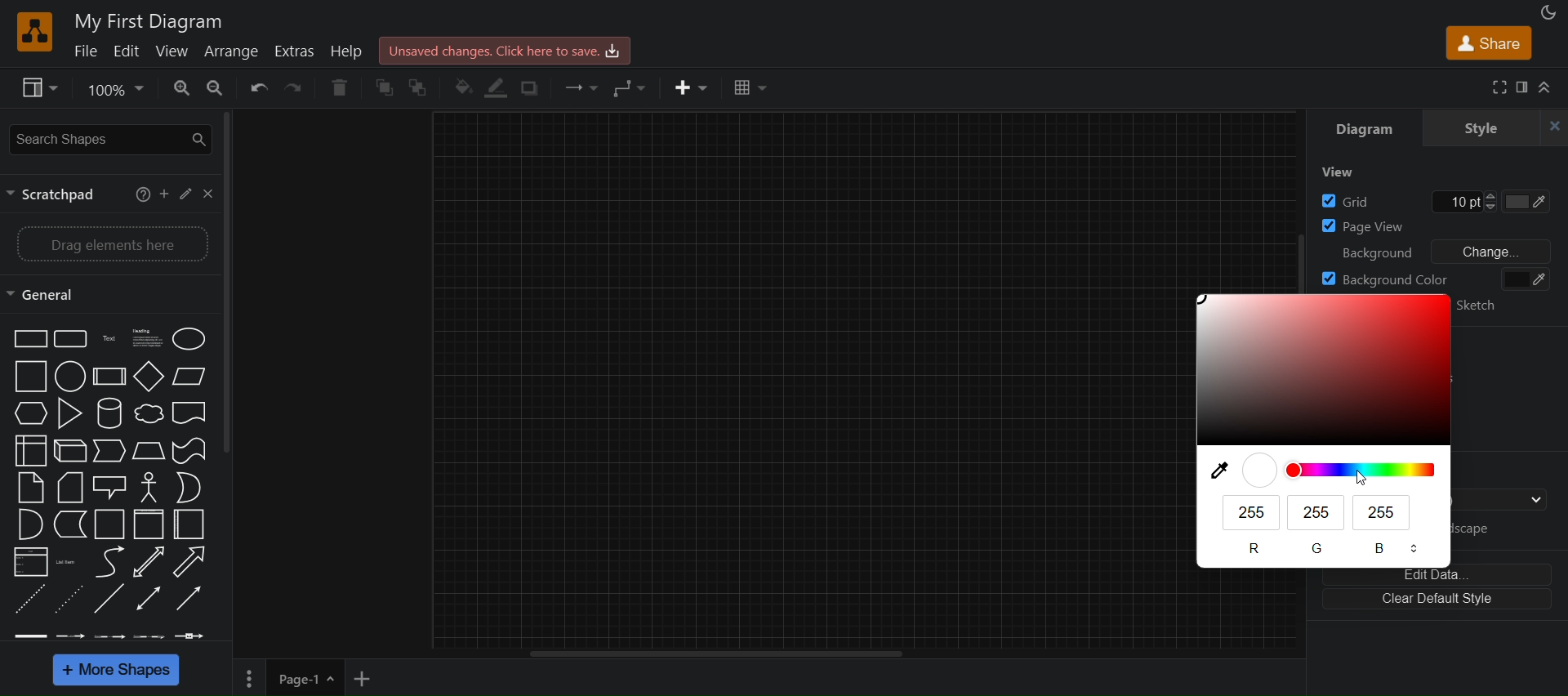  I want to click on drag elements here, so click(111, 243).